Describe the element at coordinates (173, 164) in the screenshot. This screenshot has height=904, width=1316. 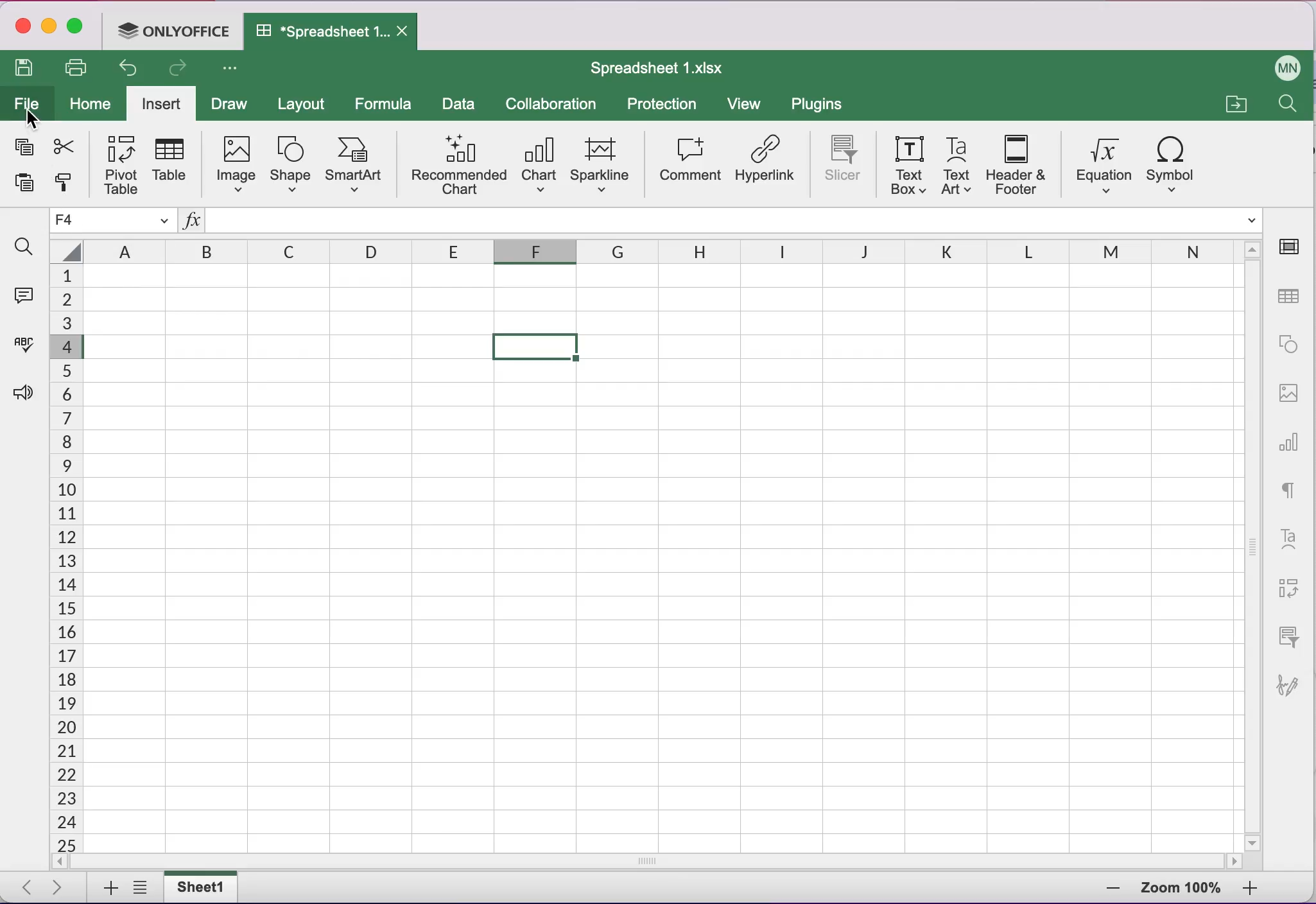
I see `table` at that location.